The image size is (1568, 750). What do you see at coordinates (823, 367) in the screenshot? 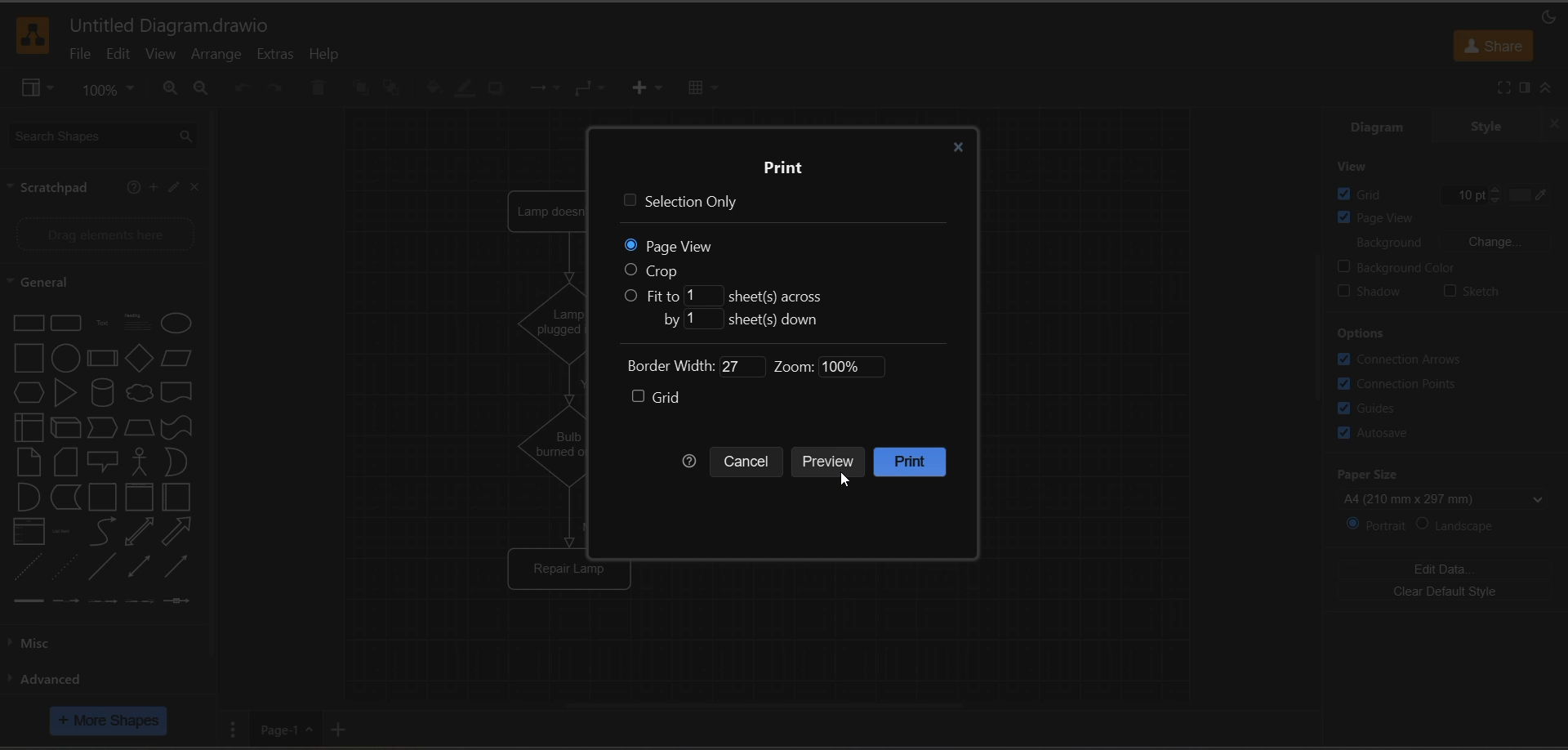
I see `zoom` at bounding box center [823, 367].